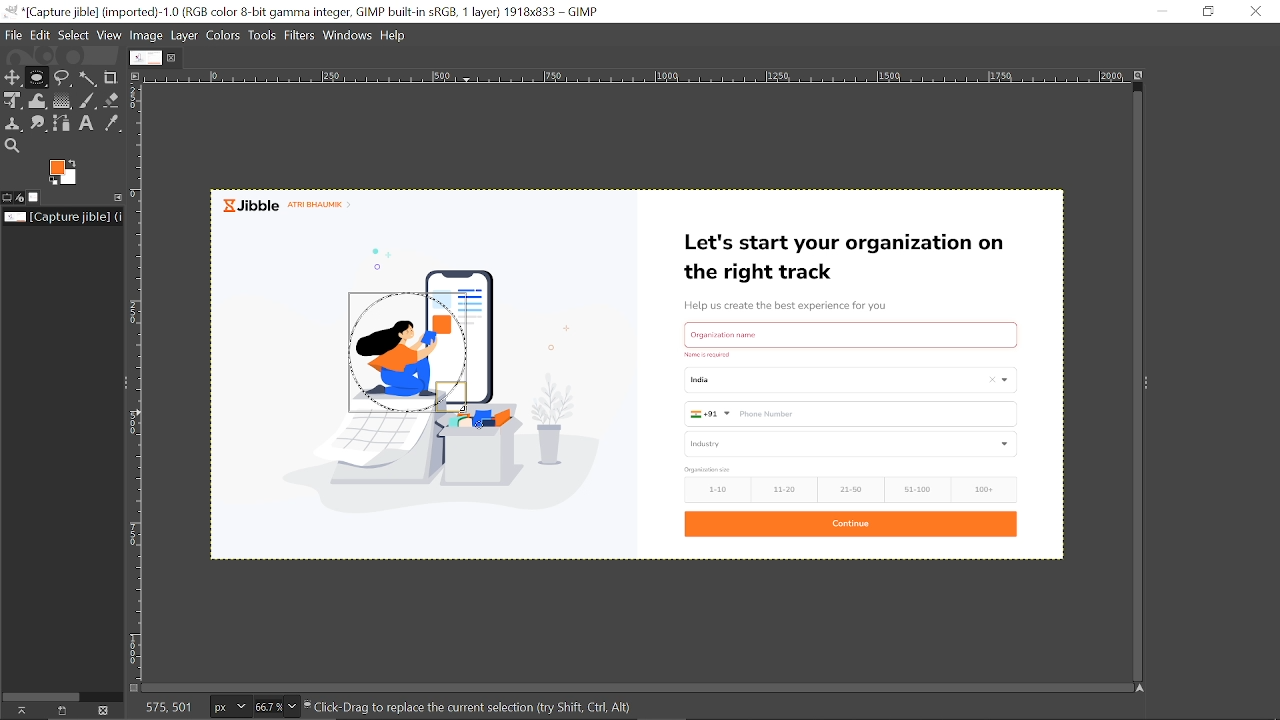  What do you see at coordinates (38, 100) in the screenshot?
I see `Wrap tool` at bounding box center [38, 100].